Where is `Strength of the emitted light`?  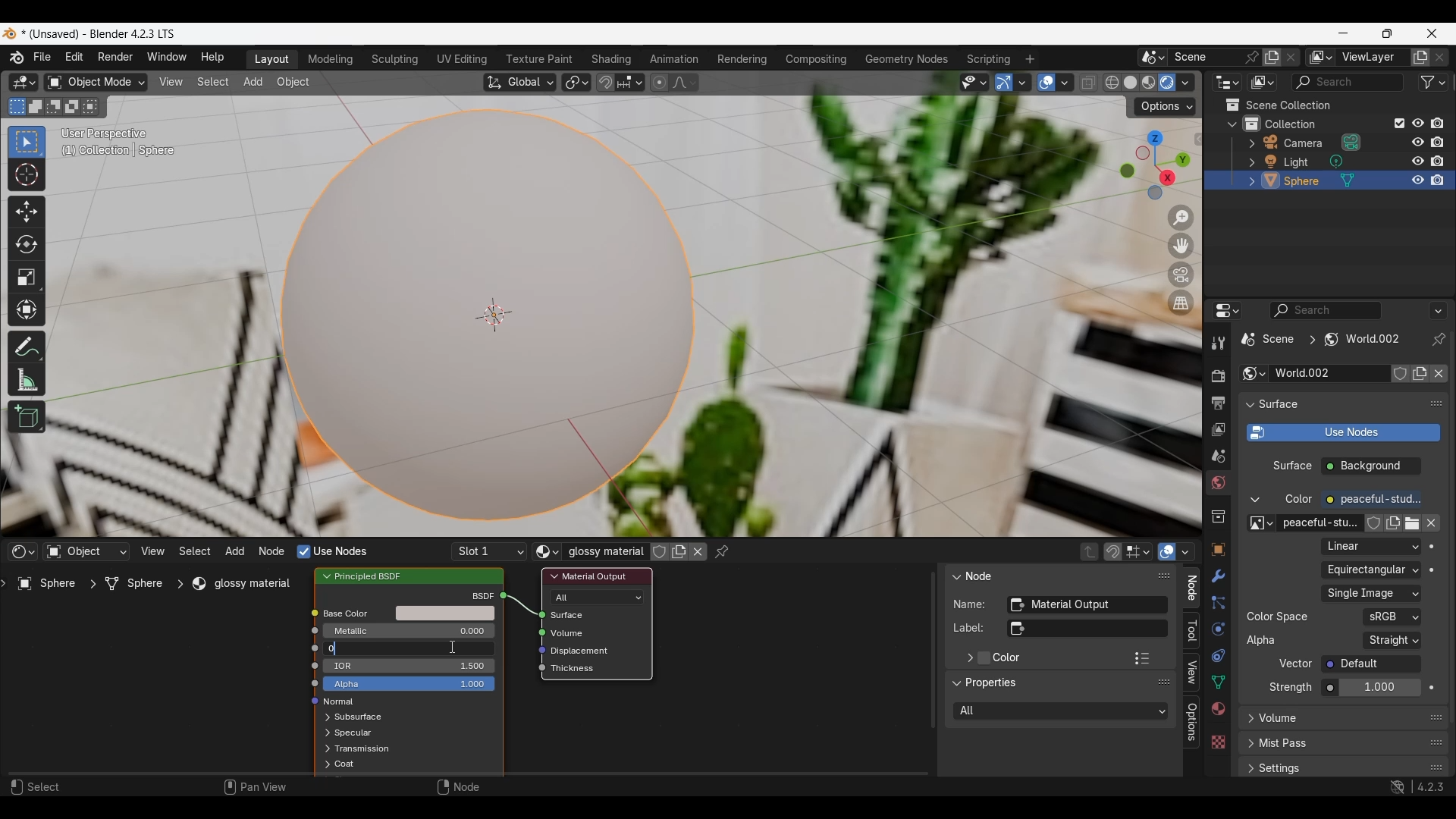
Strength of the emitted light is located at coordinates (1371, 688).